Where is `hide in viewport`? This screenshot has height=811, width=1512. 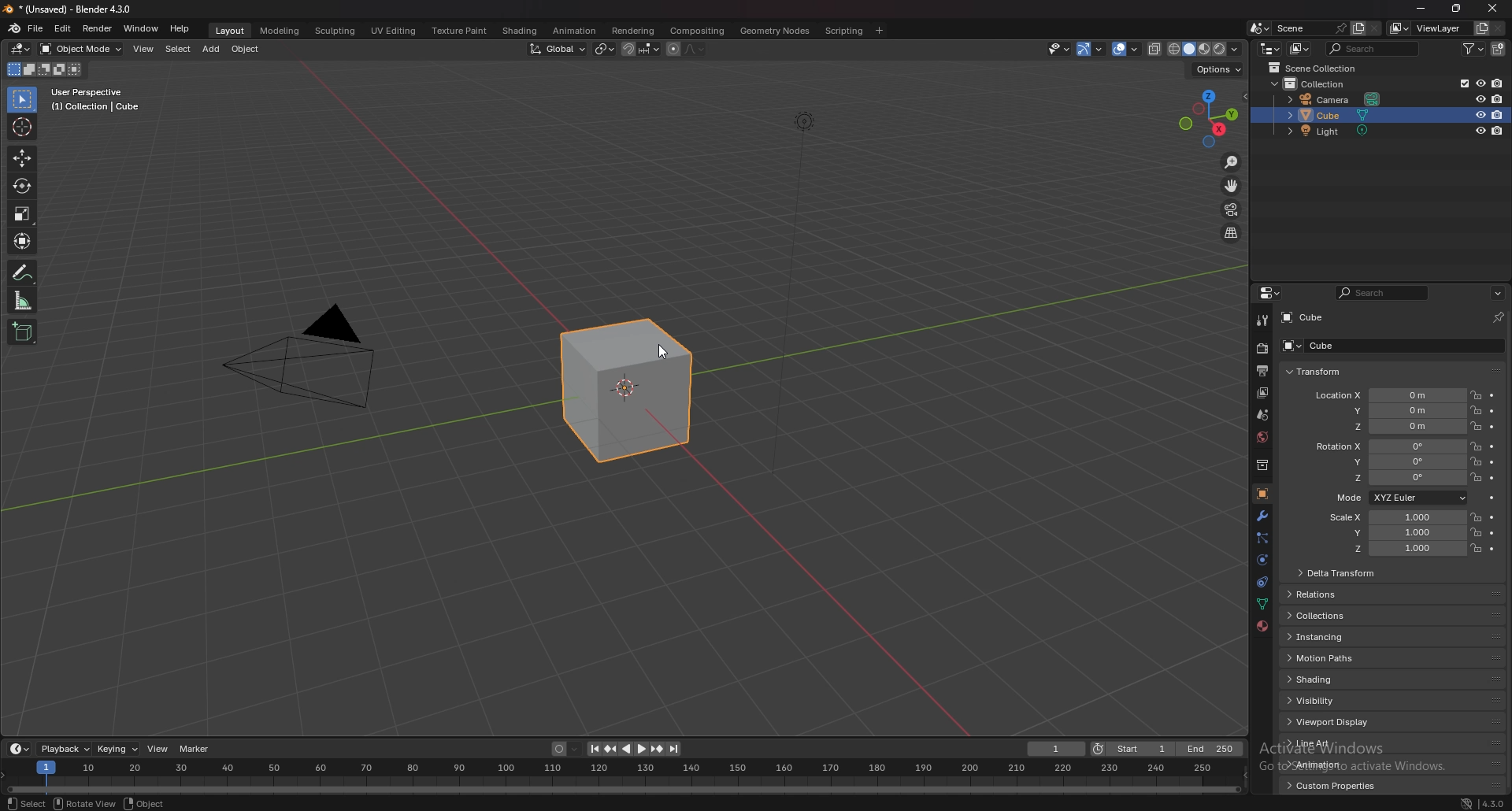
hide in viewport is located at coordinates (1479, 114).